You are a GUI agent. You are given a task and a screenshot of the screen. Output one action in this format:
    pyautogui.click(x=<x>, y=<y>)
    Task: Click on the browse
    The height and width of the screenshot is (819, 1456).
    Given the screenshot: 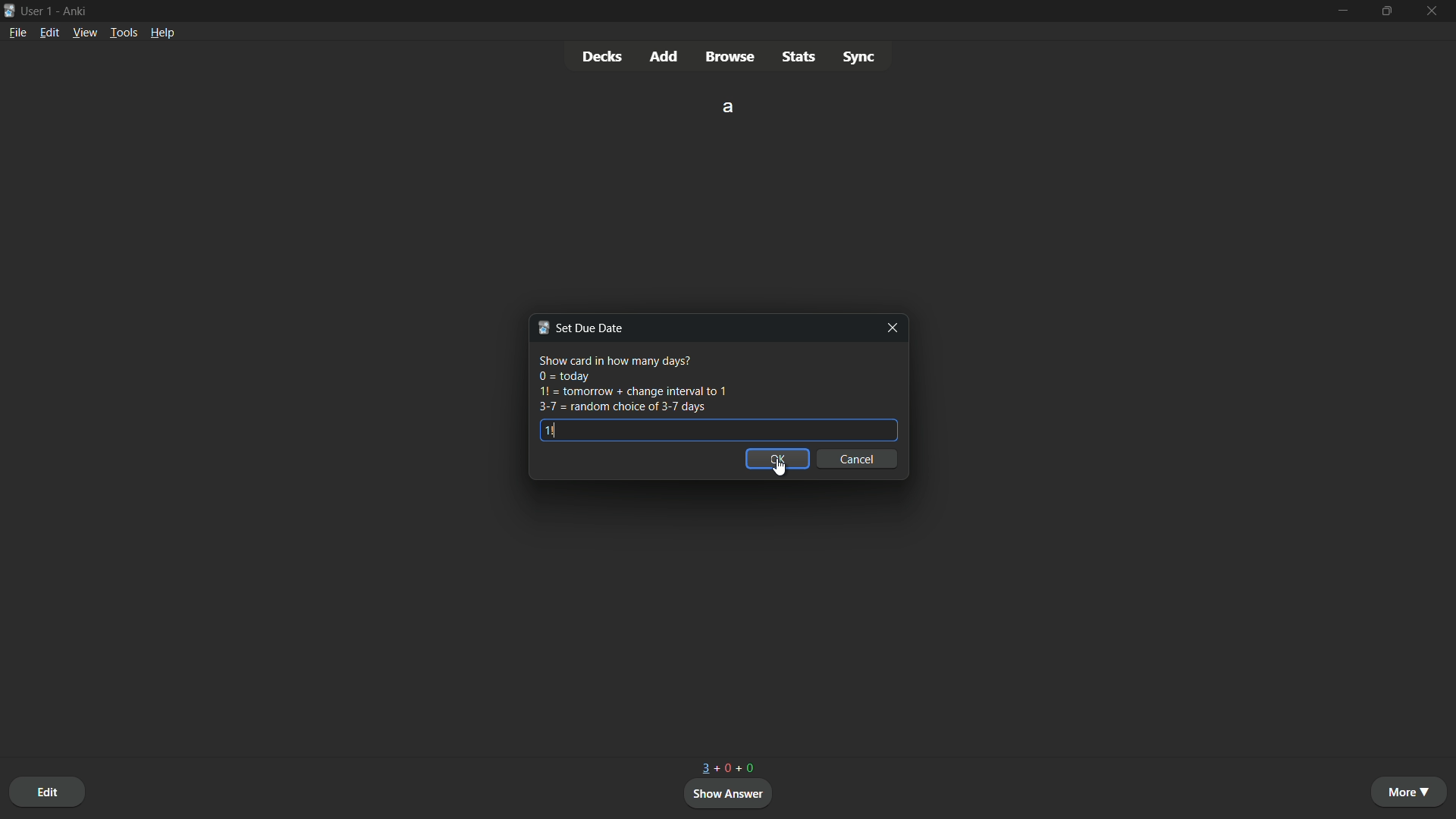 What is the action you would take?
    pyautogui.click(x=731, y=57)
    